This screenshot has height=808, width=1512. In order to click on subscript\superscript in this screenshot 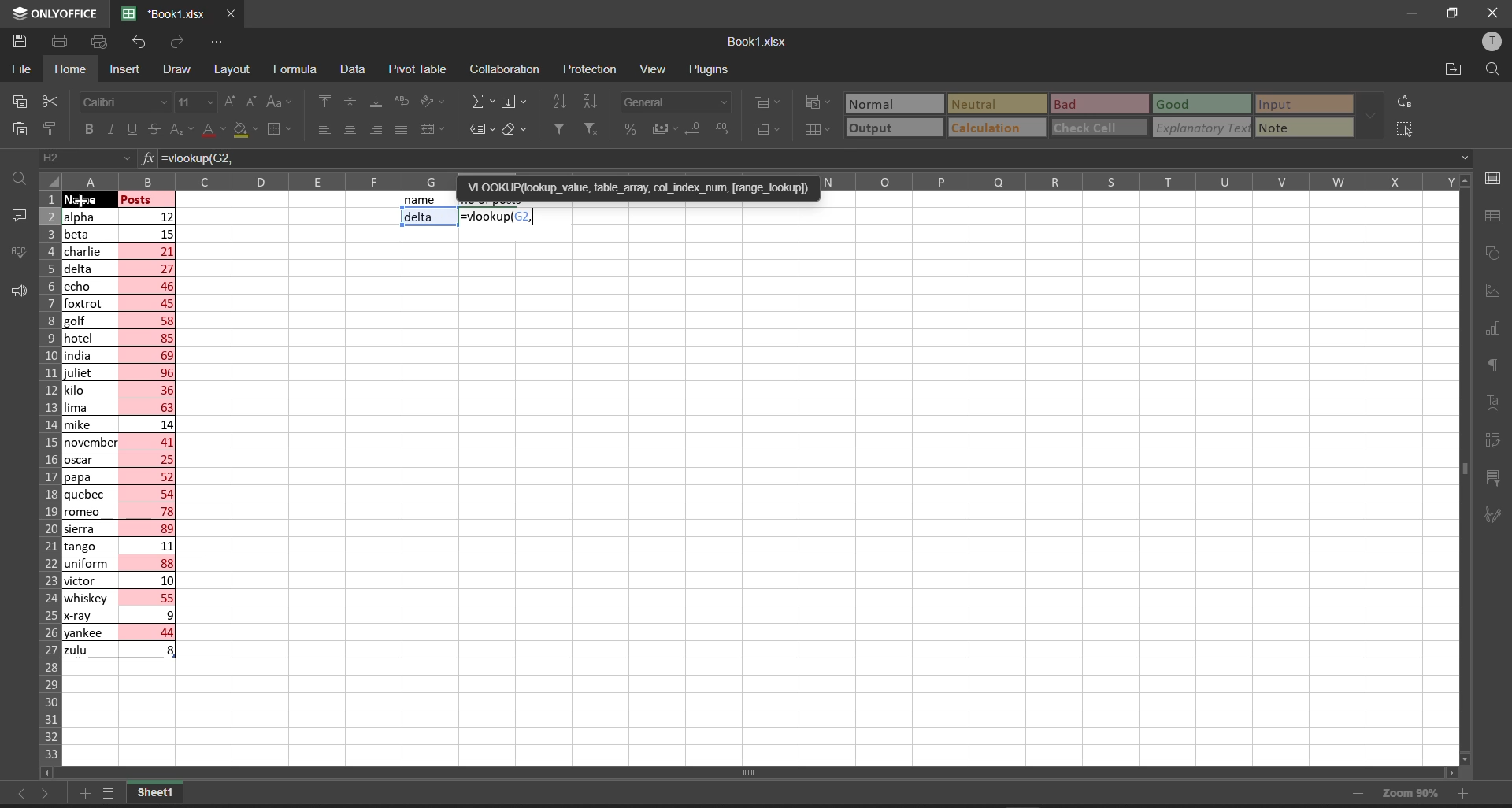, I will do `click(180, 127)`.